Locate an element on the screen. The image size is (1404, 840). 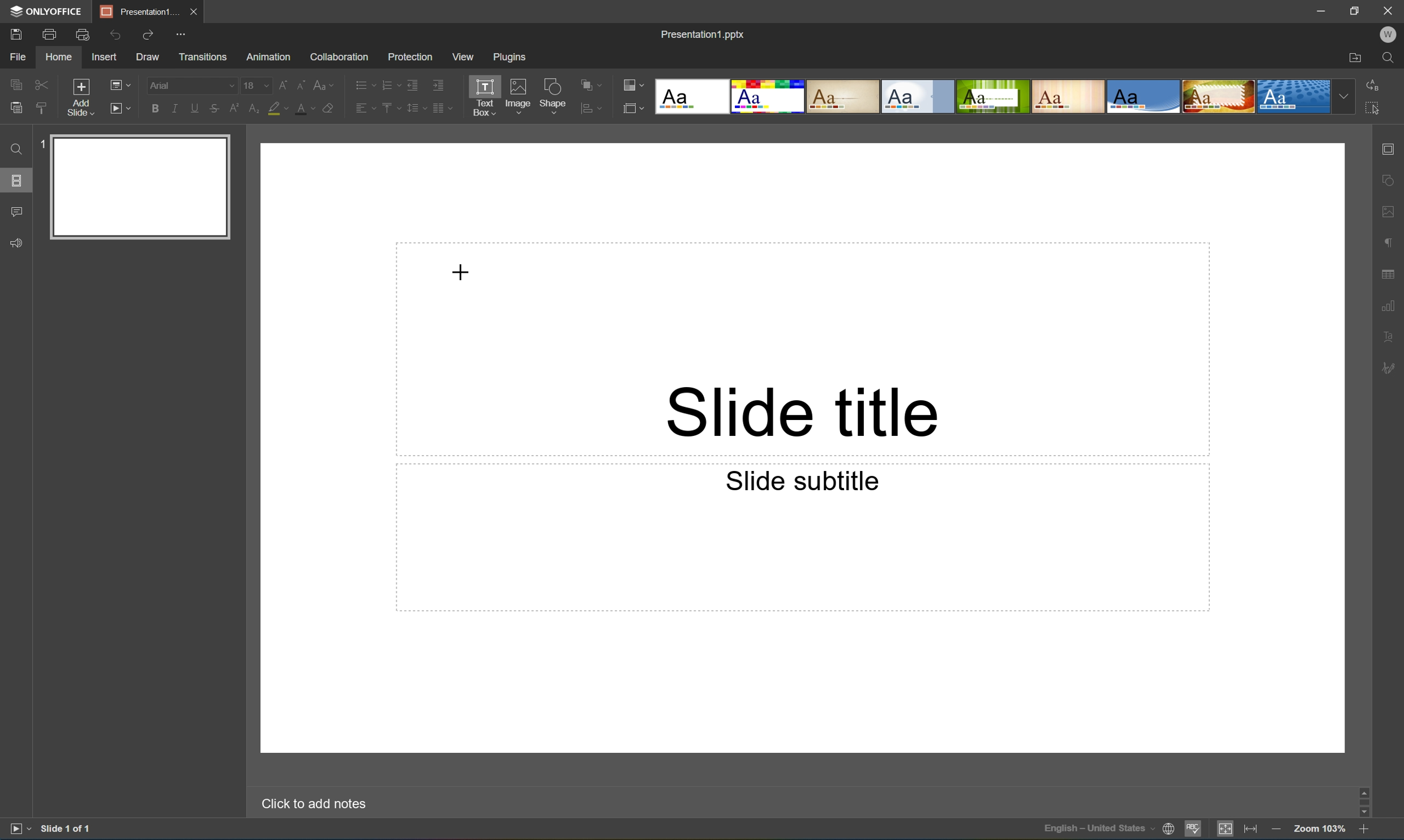
Italic is located at coordinates (174, 109).